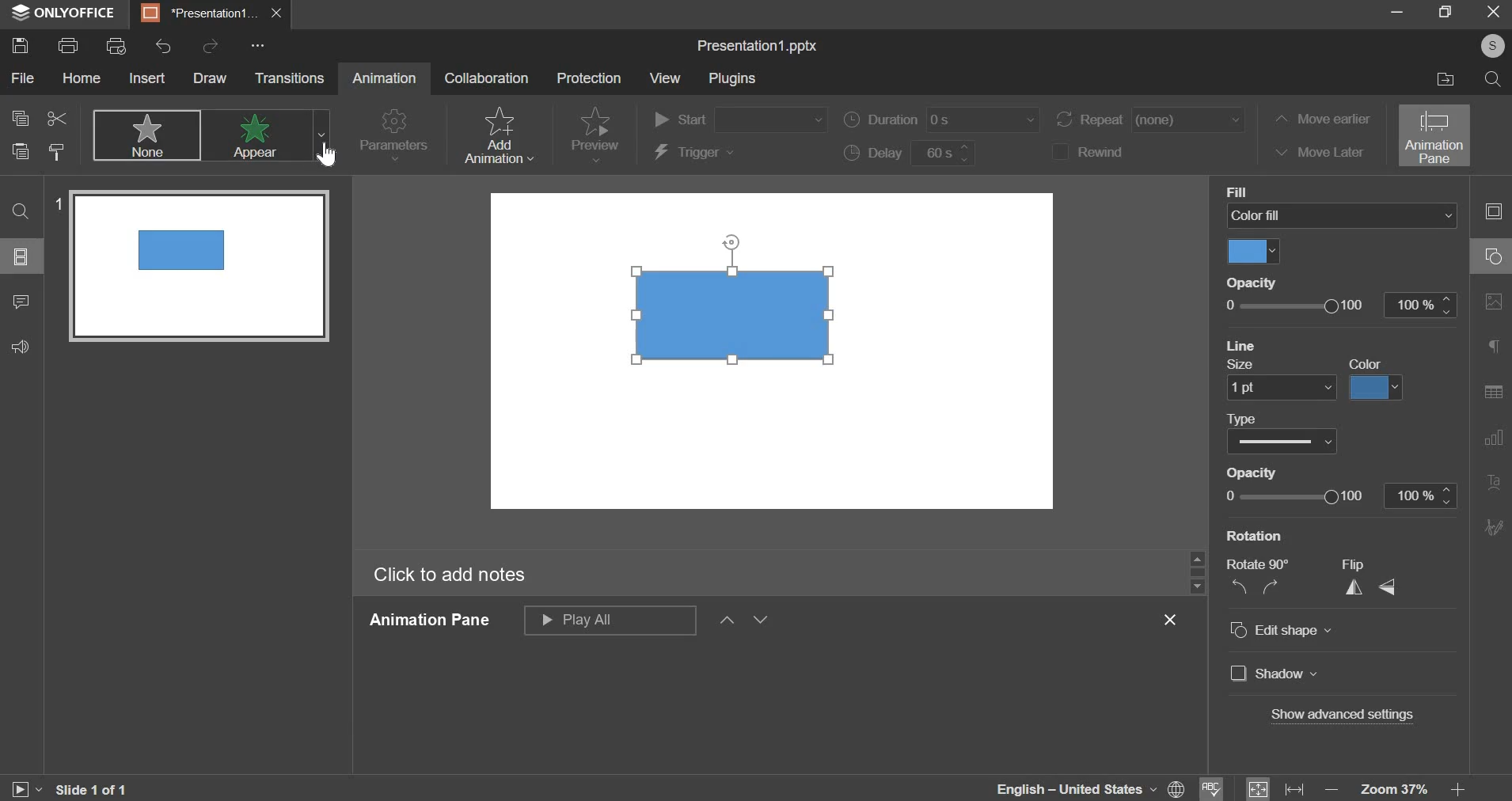 The width and height of the screenshot is (1512, 801). I want to click on color, so click(1380, 386).